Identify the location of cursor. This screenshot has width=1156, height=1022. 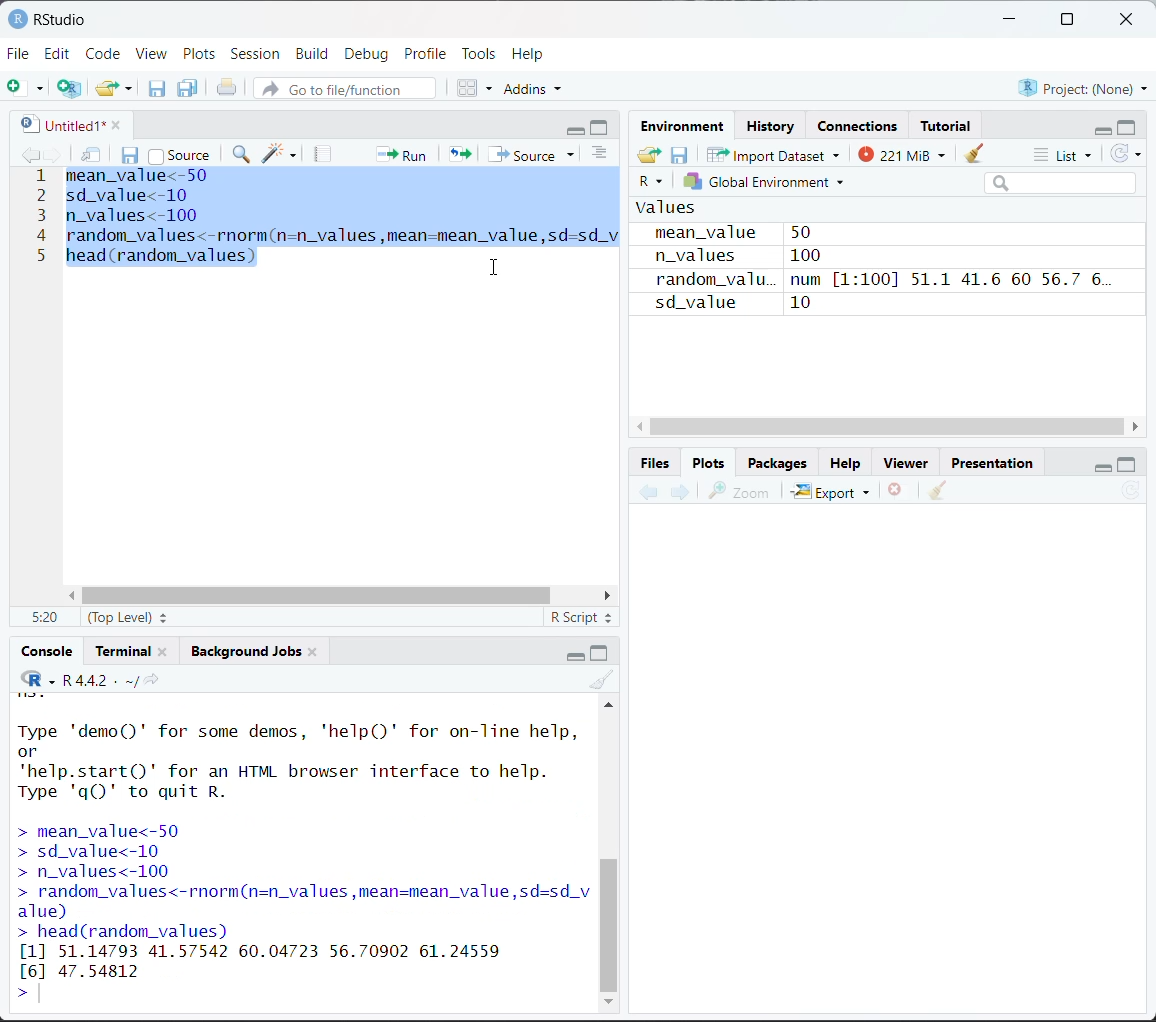
(496, 265).